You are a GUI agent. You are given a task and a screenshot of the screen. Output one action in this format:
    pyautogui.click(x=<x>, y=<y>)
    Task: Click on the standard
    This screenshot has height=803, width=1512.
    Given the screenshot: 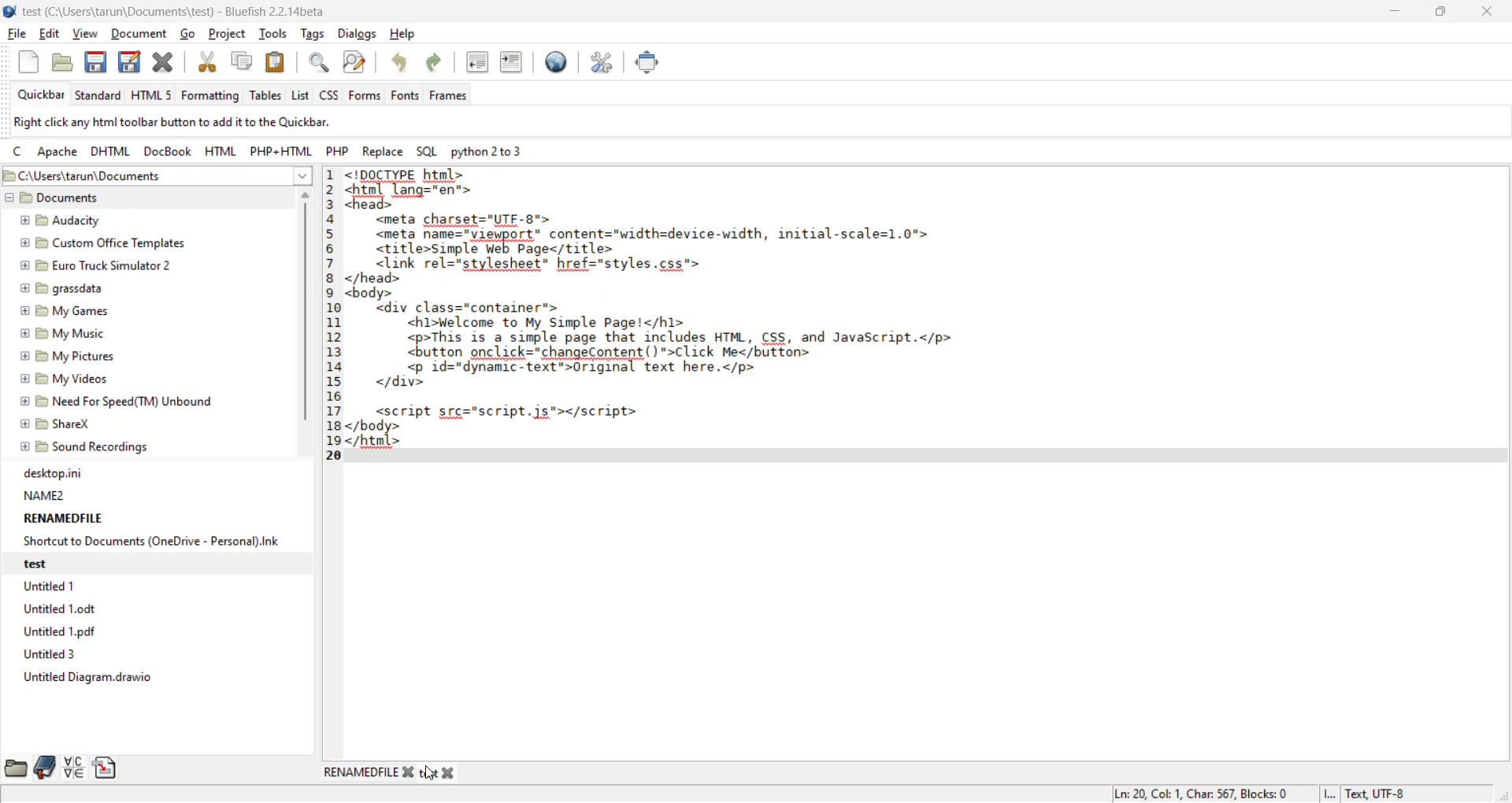 What is the action you would take?
    pyautogui.click(x=97, y=94)
    